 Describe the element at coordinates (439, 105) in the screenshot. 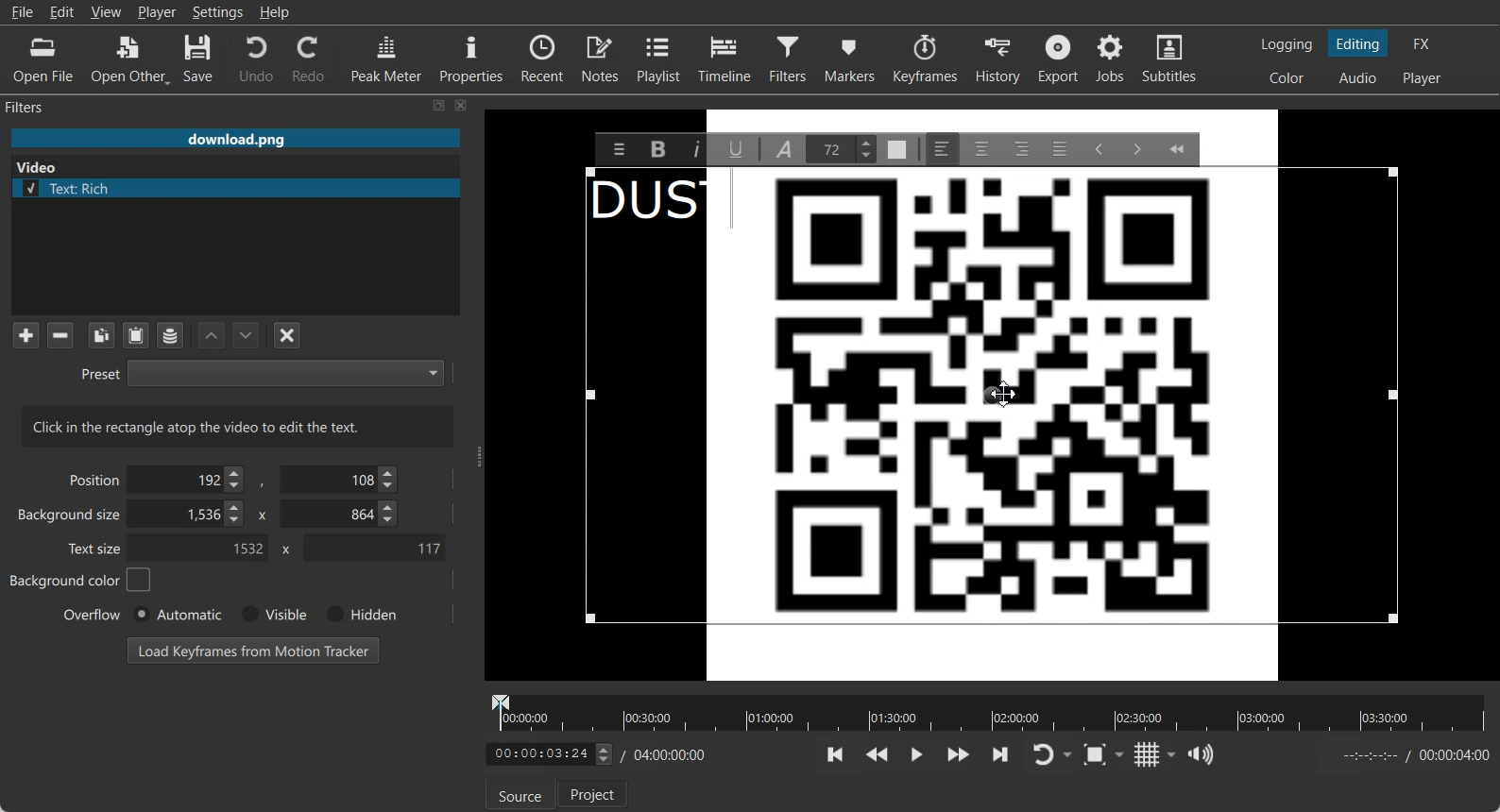

I see `Maximize` at that location.